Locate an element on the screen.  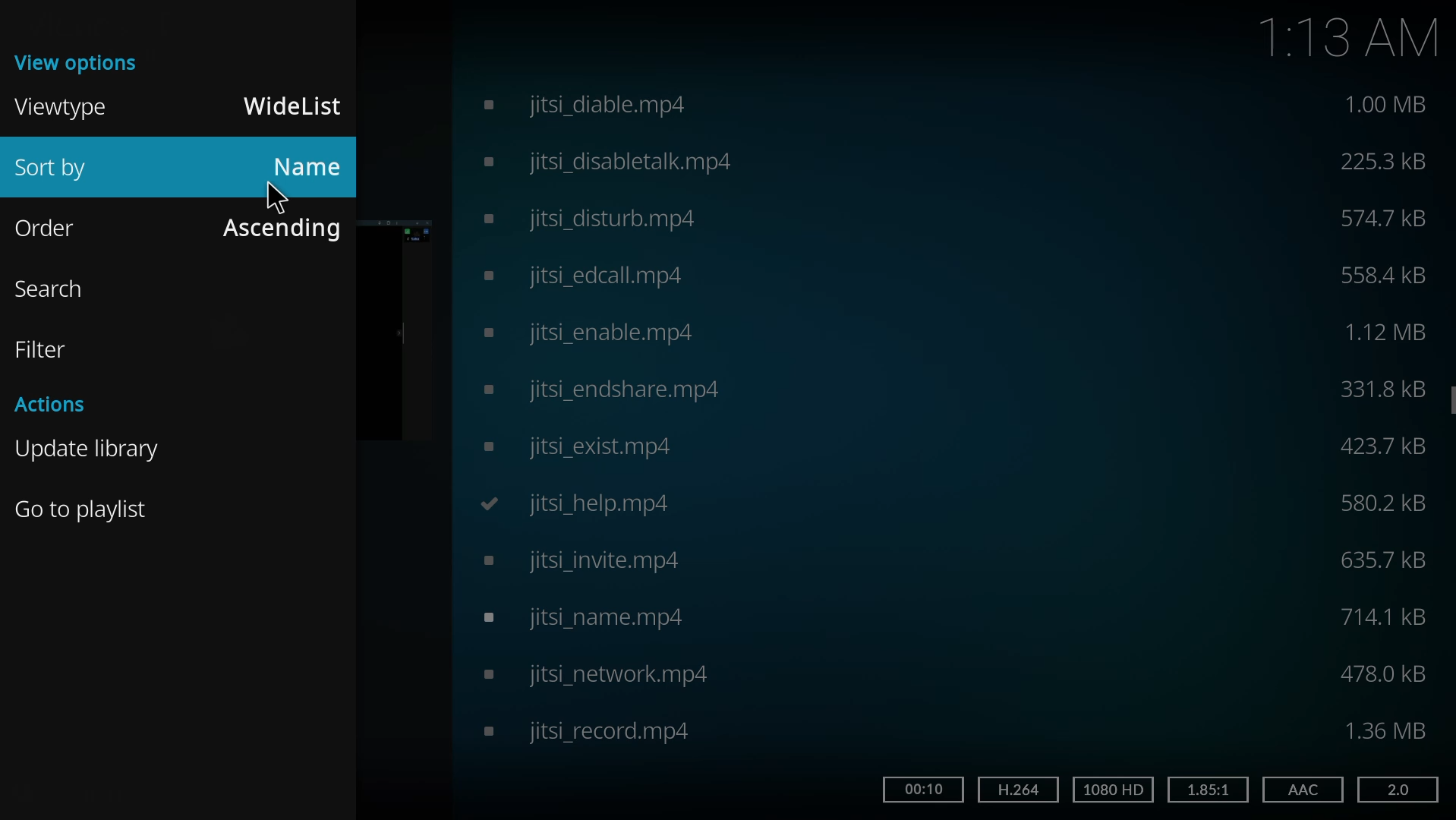
hd is located at coordinates (1111, 790).